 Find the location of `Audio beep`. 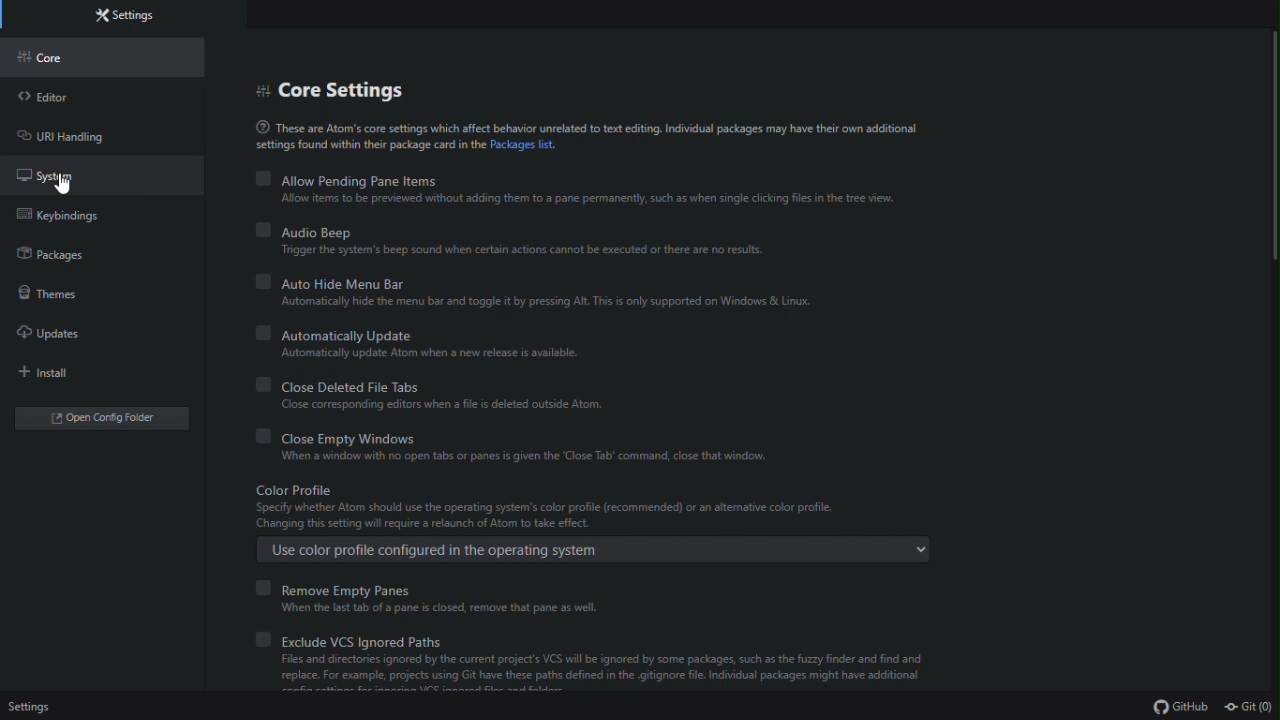

Audio beep is located at coordinates (602, 229).